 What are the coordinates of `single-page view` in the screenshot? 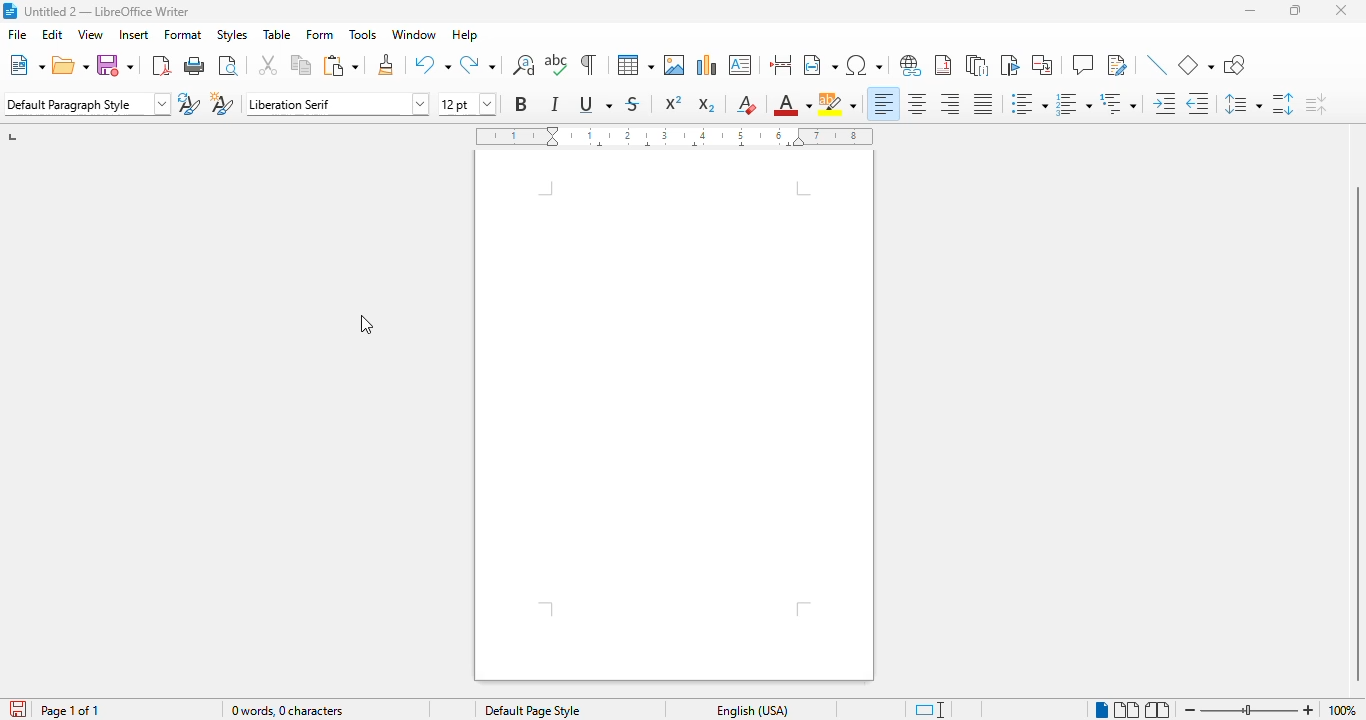 It's located at (1101, 710).